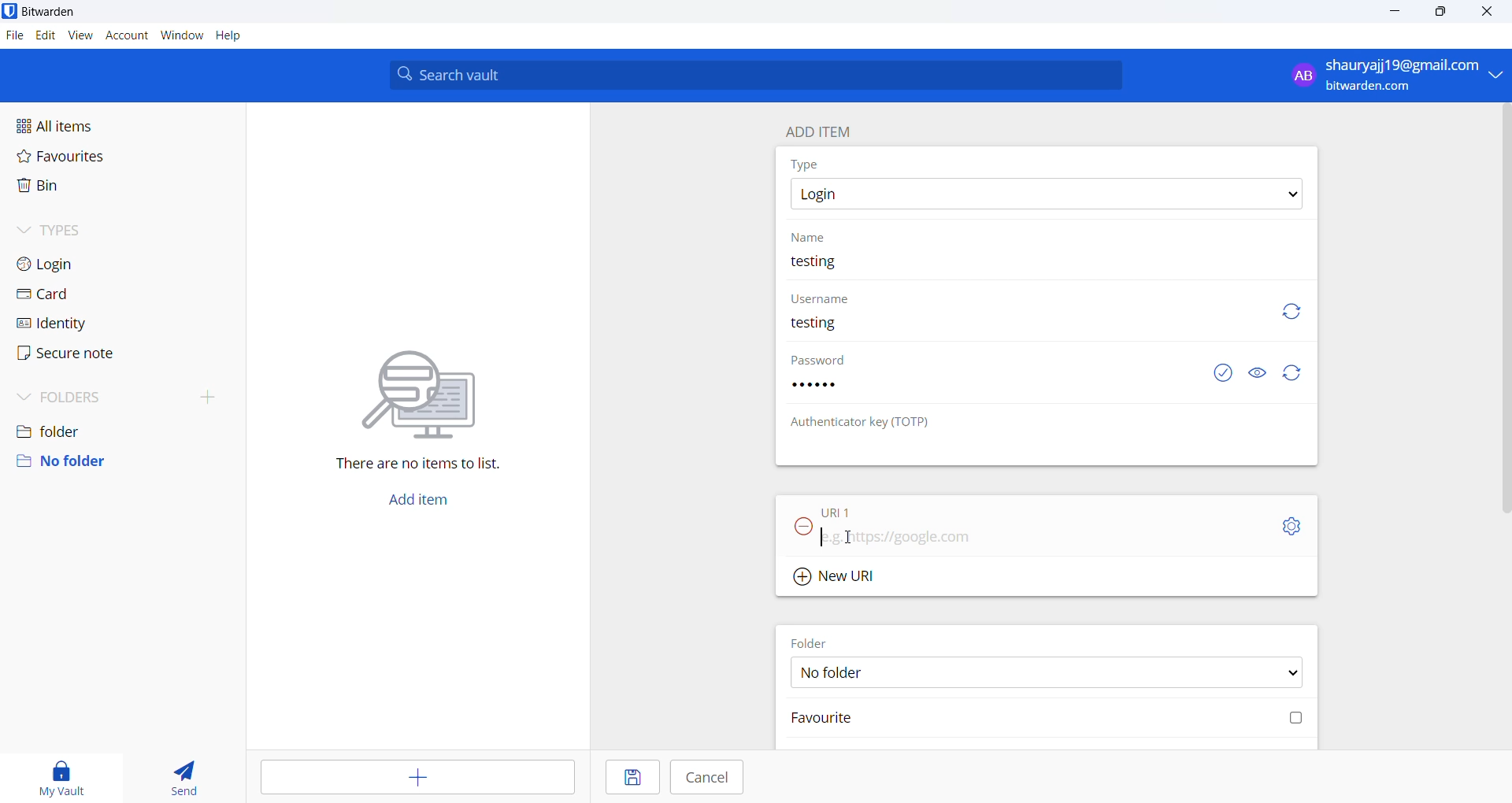 This screenshot has width=1512, height=803. I want to click on show or hide, so click(1261, 370).